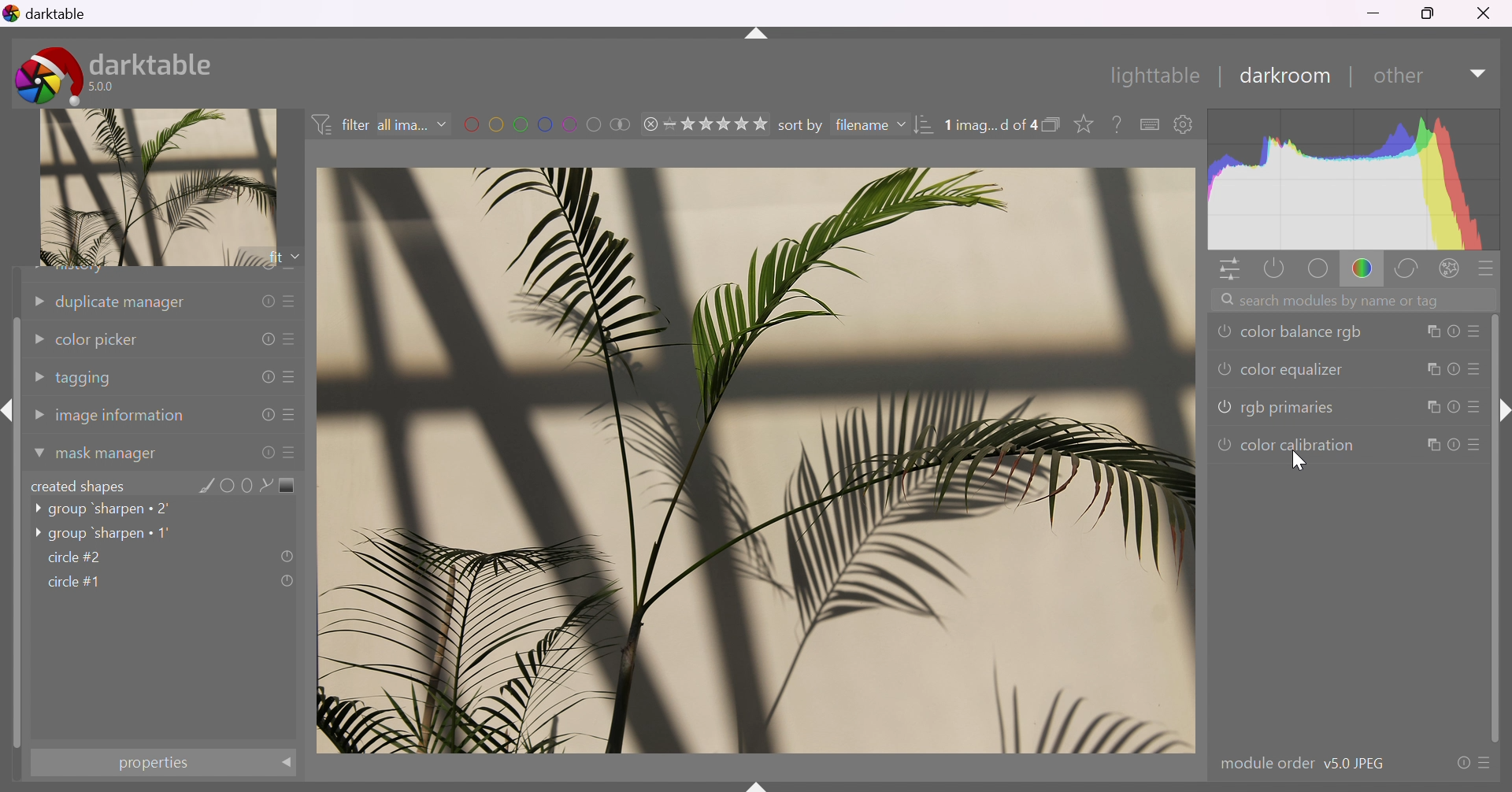 The image size is (1512, 792). I want to click on correct, so click(1407, 268).